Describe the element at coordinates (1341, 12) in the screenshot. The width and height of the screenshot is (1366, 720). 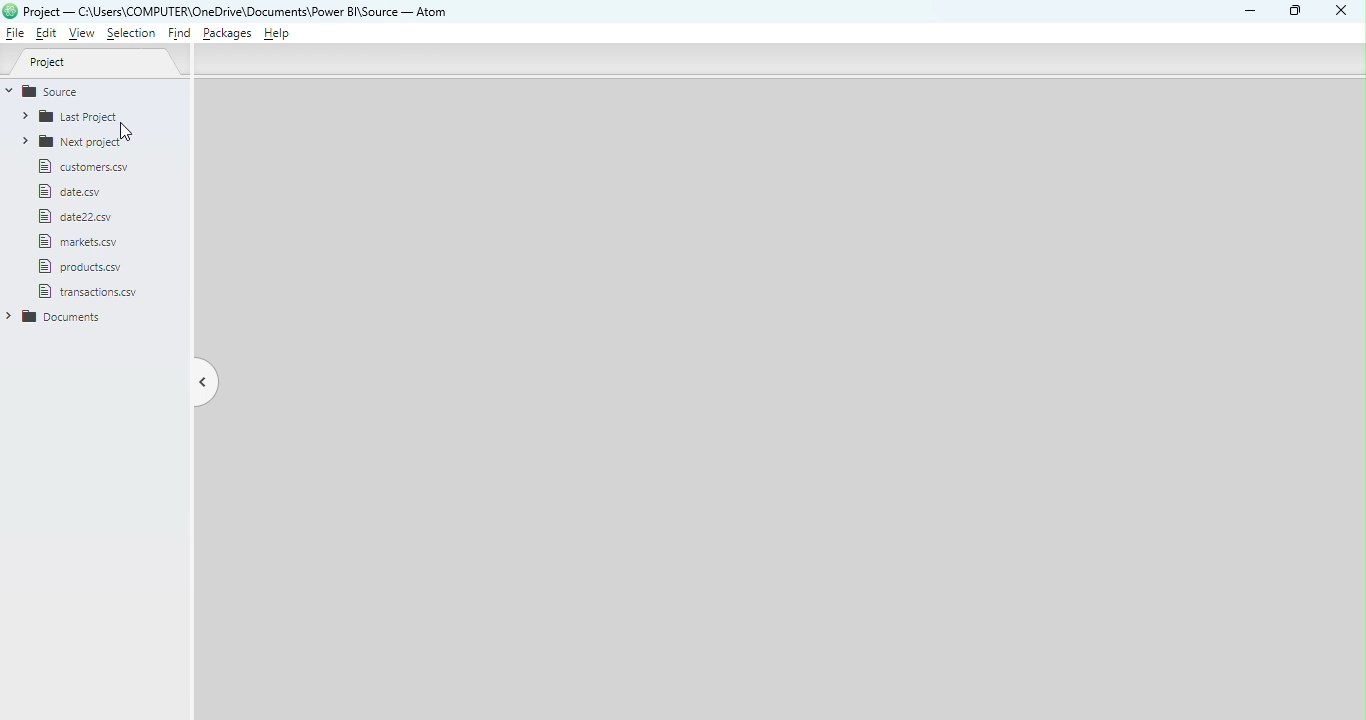
I see `Close` at that location.